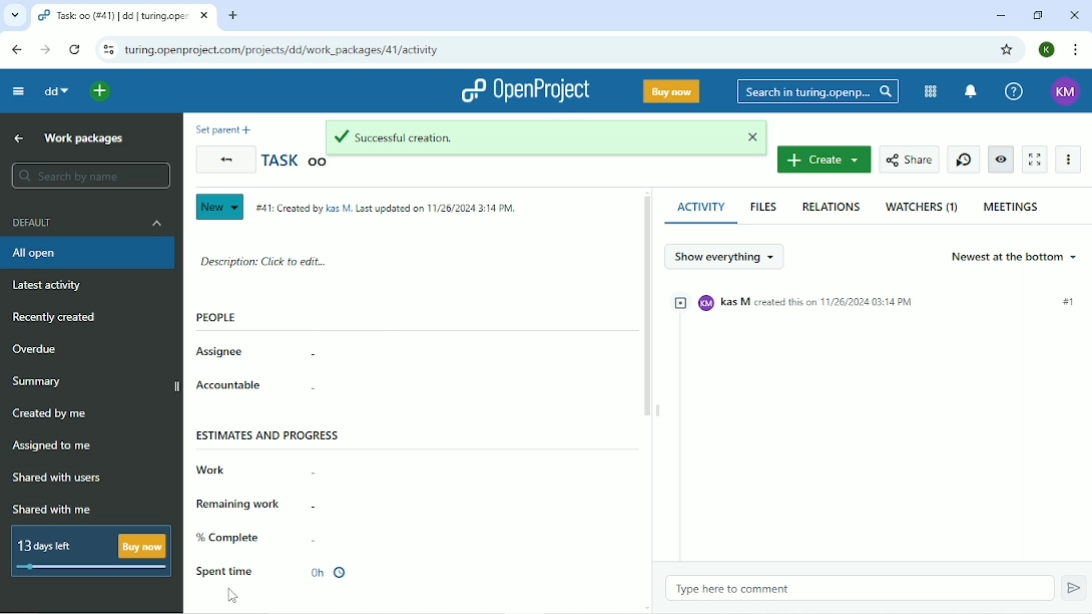 The height and width of the screenshot is (614, 1092). I want to click on #41: Created by Kas M. Last updated on 11/26/2024 3:14PM, so click(388, 209).